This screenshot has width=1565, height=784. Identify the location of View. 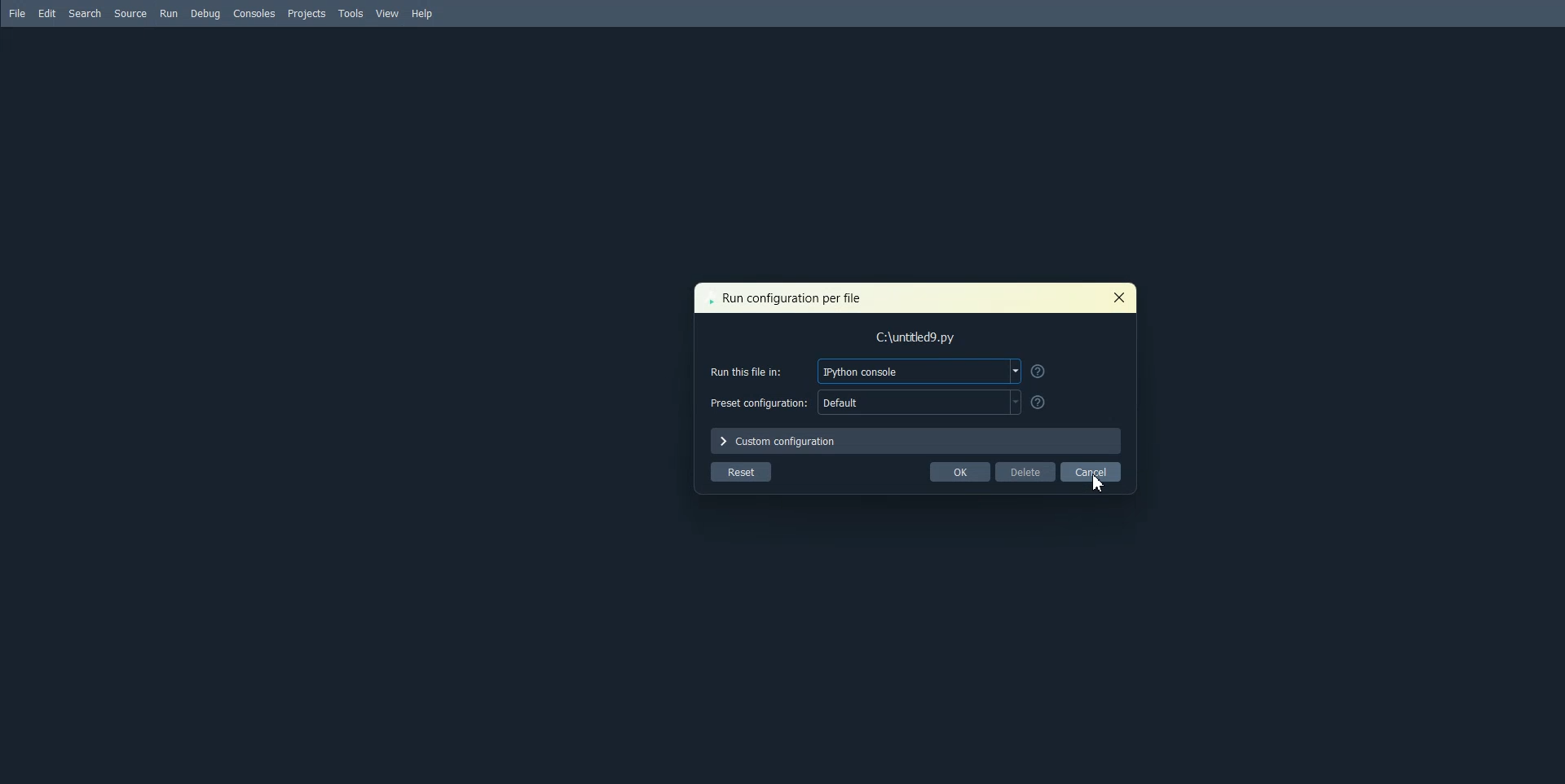
(388, 14).